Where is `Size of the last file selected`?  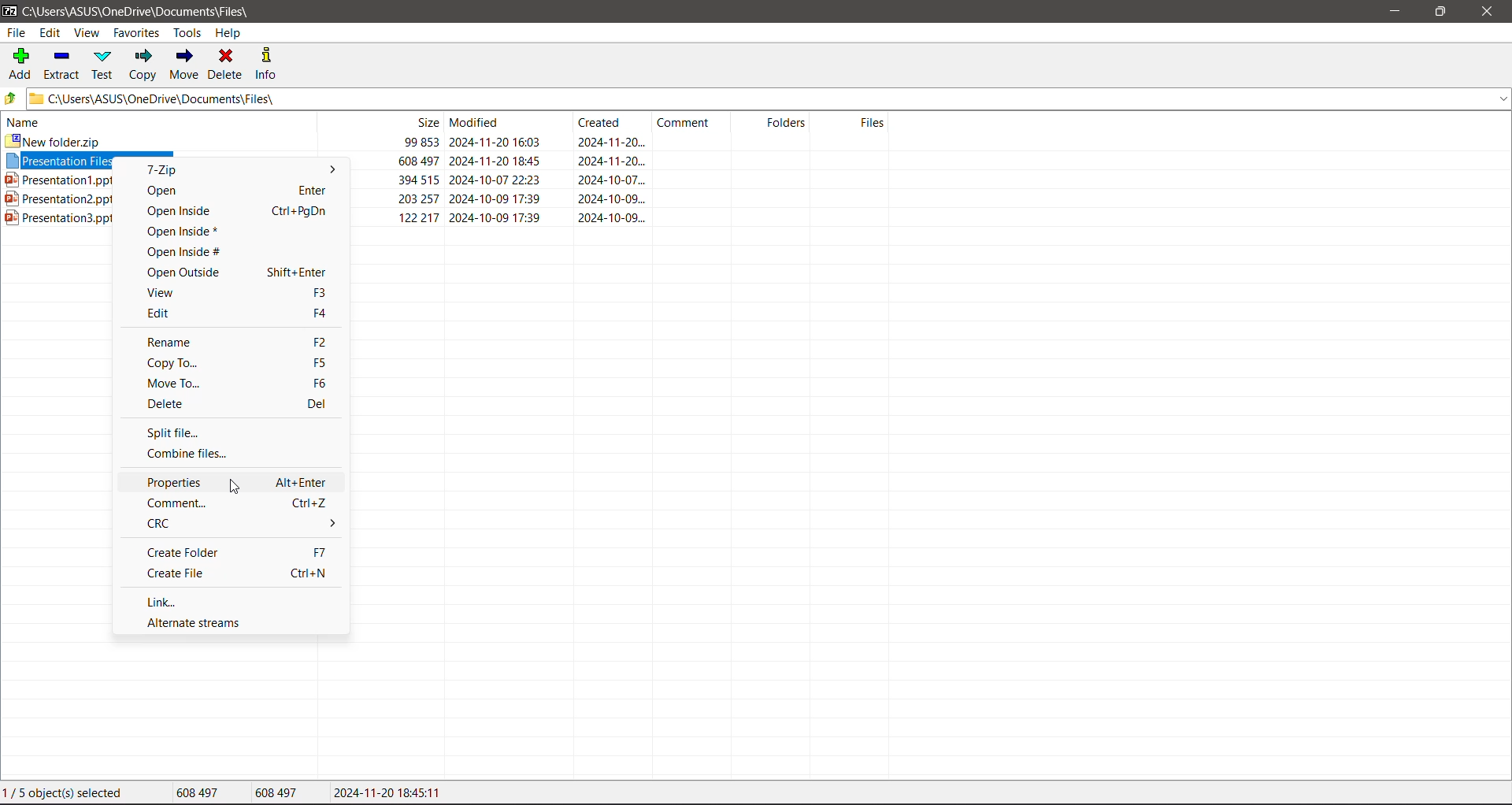
Size of the last file selected is located at coordinates (276, 792).